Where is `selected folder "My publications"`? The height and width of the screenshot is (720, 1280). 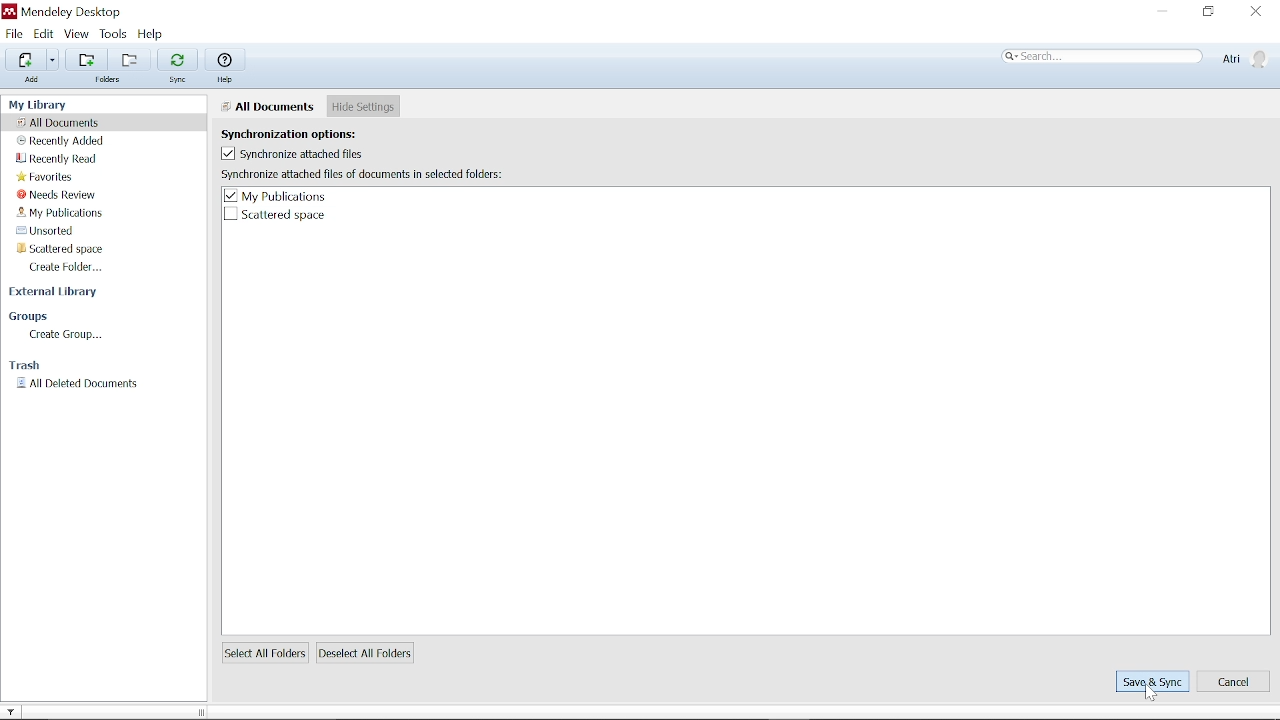 selected folder "My publications" is located at coordinates (280, 196).